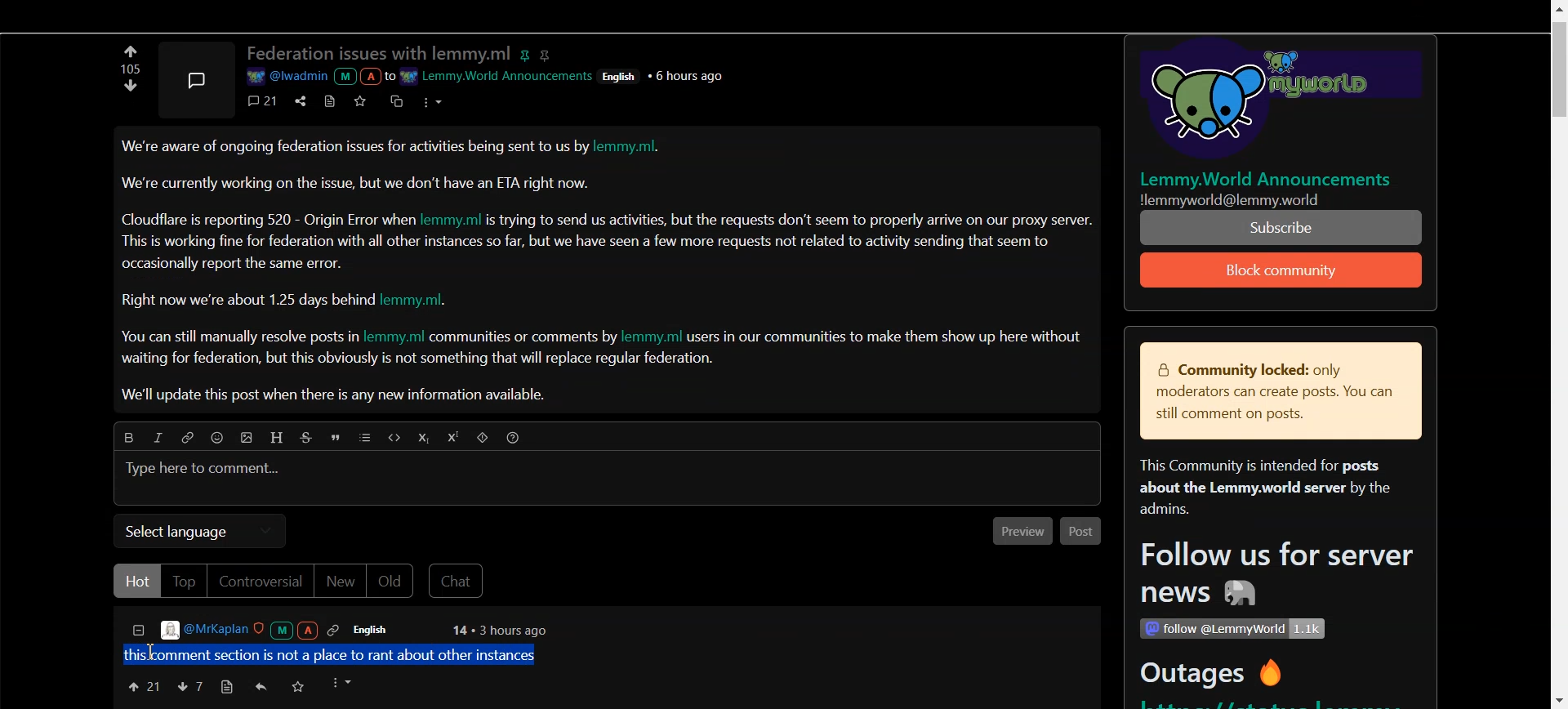  What do you see at coordinates (137, 632) in the screenshot?
I see `Collapse` at bounding box center [137, 632].